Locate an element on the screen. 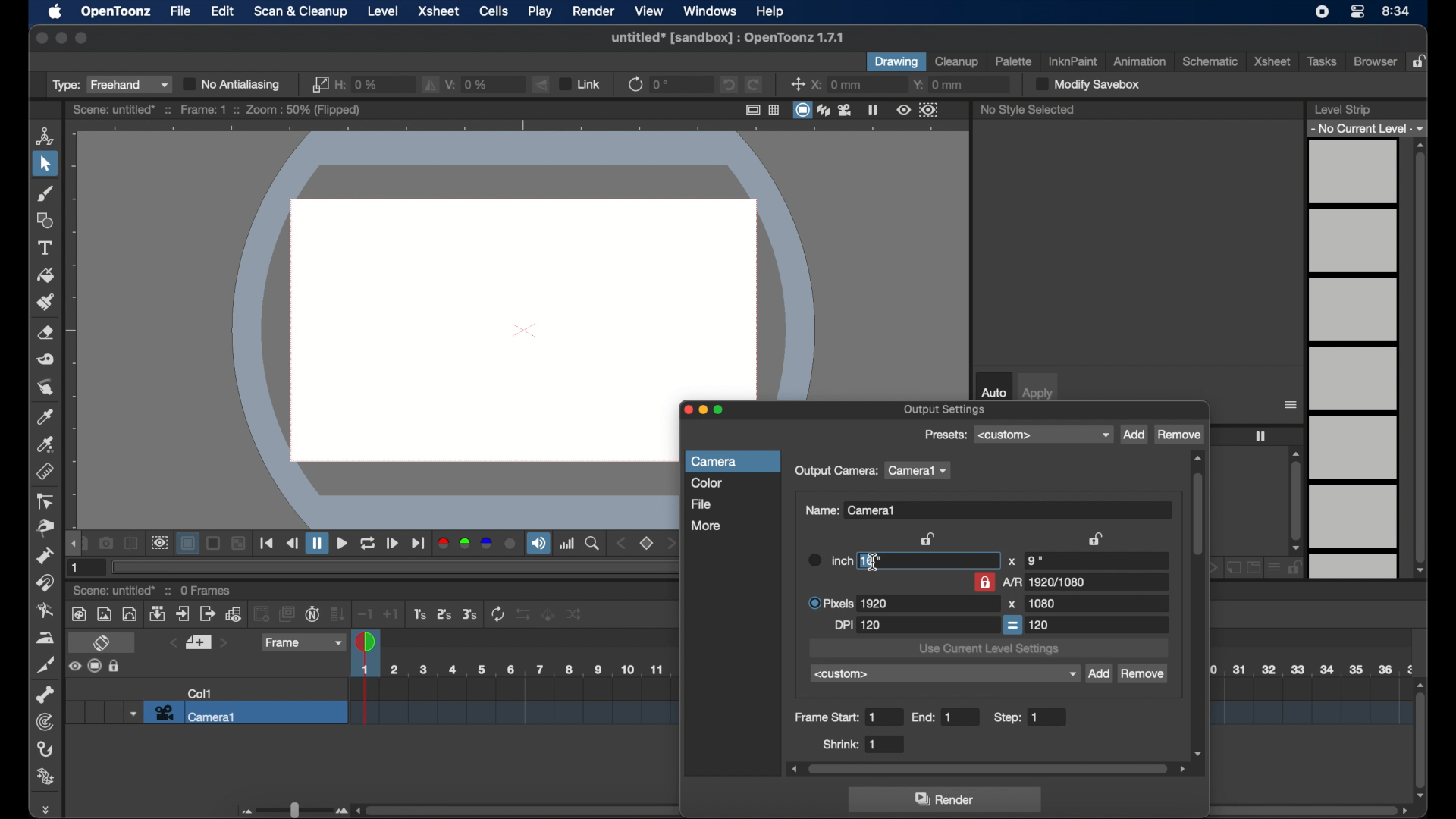  frame start is located at coordinates (837, 717).